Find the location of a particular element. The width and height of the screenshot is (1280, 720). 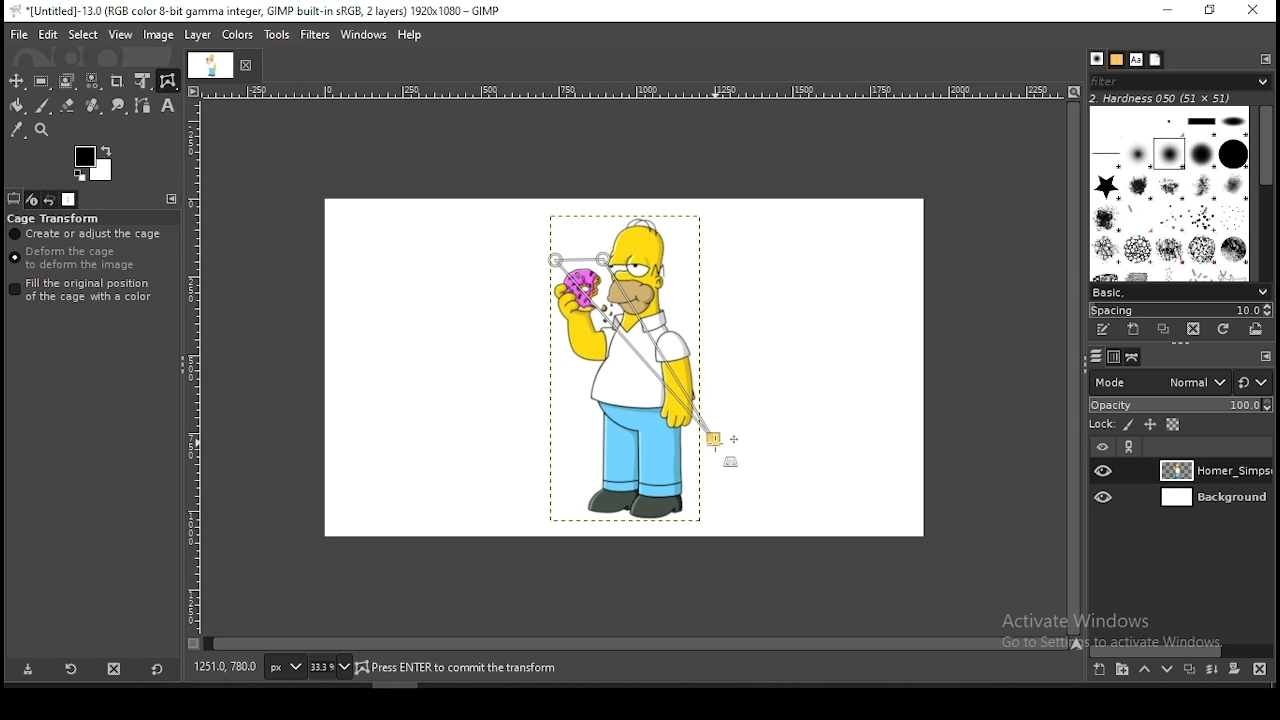

brushes is located at coordinates (1171, 192).